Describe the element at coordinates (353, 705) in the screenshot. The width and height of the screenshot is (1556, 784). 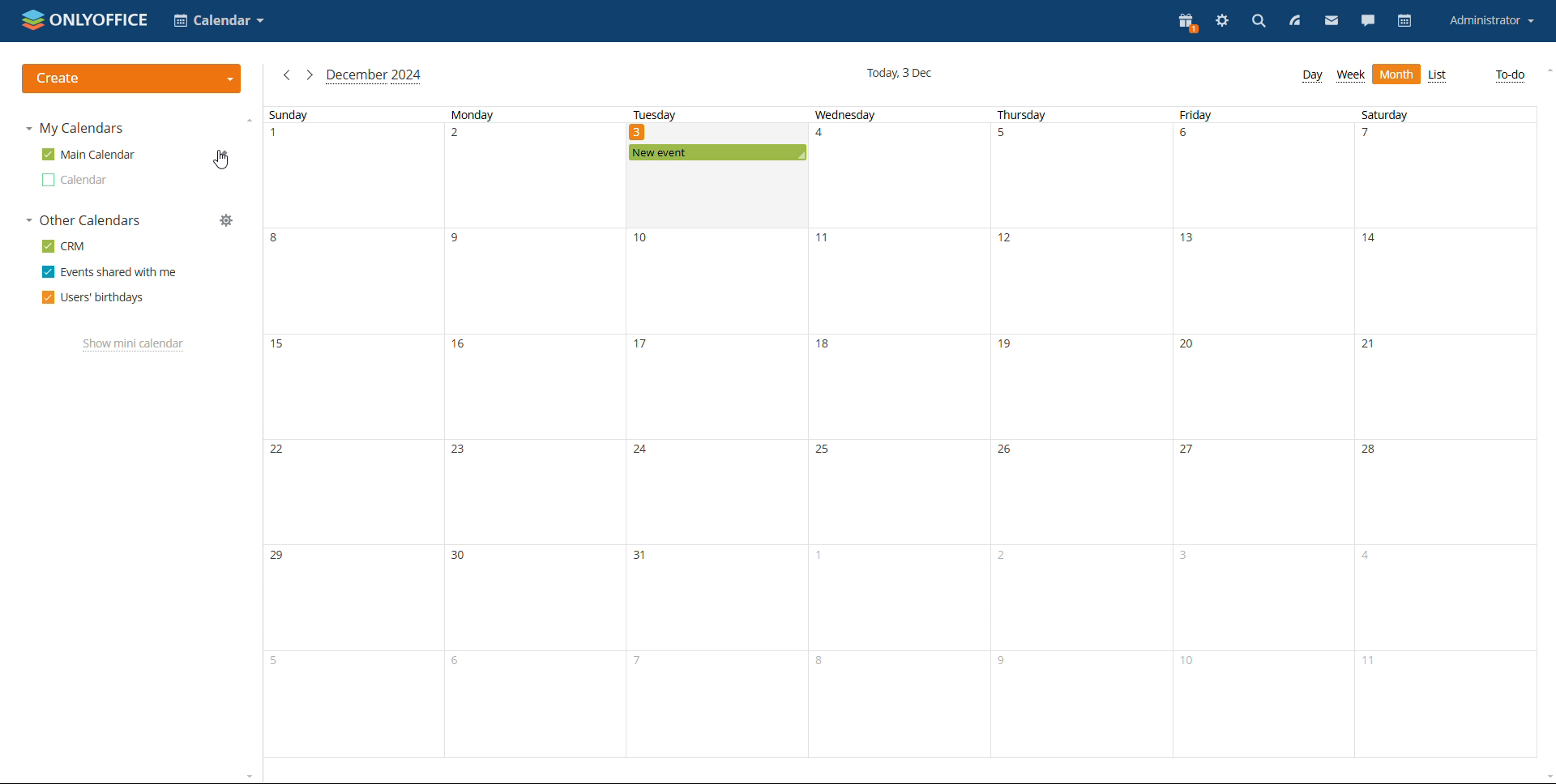
I see `date` at that location.